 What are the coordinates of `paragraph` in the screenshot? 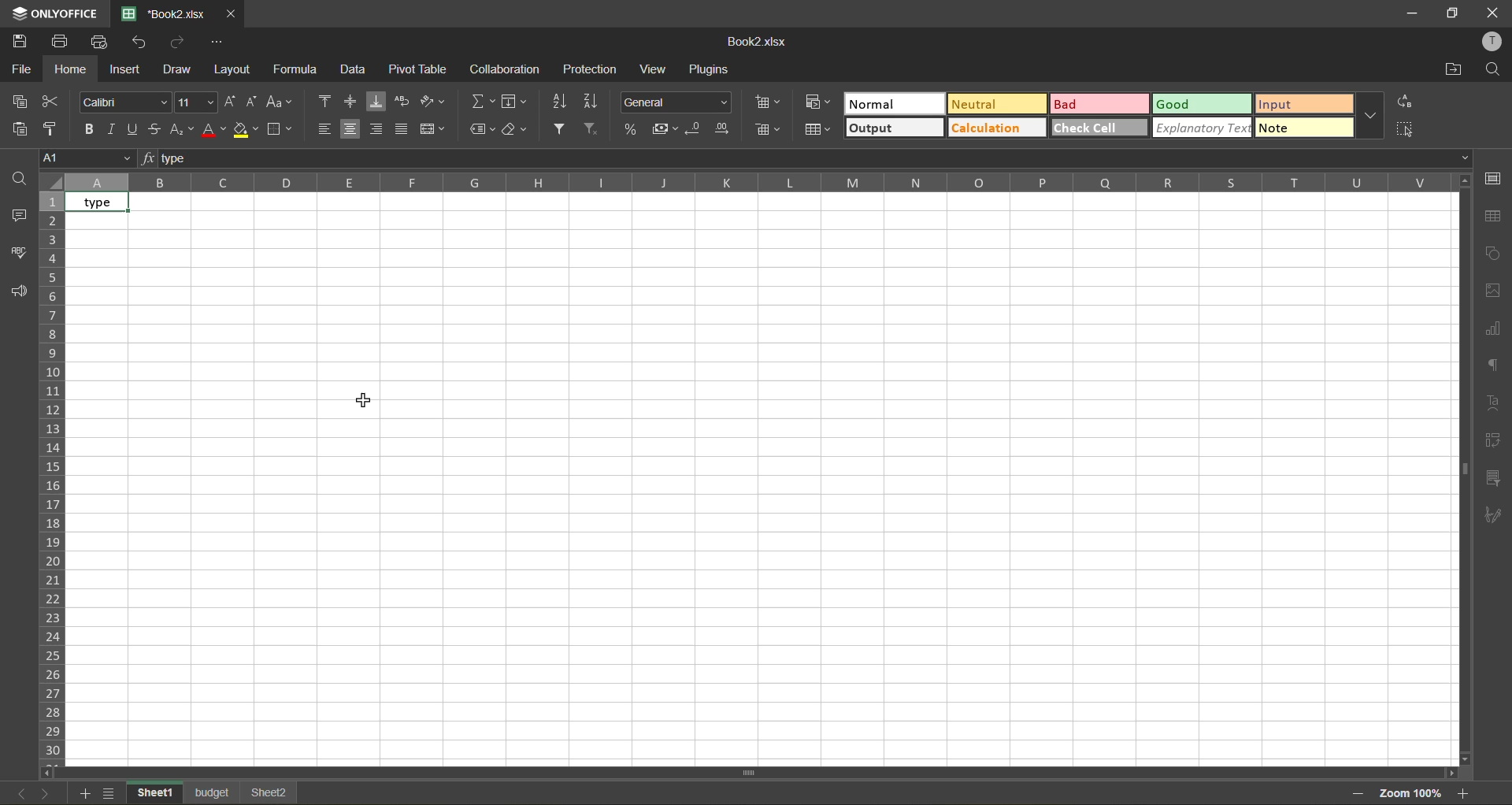 It's located at (1492, 518).